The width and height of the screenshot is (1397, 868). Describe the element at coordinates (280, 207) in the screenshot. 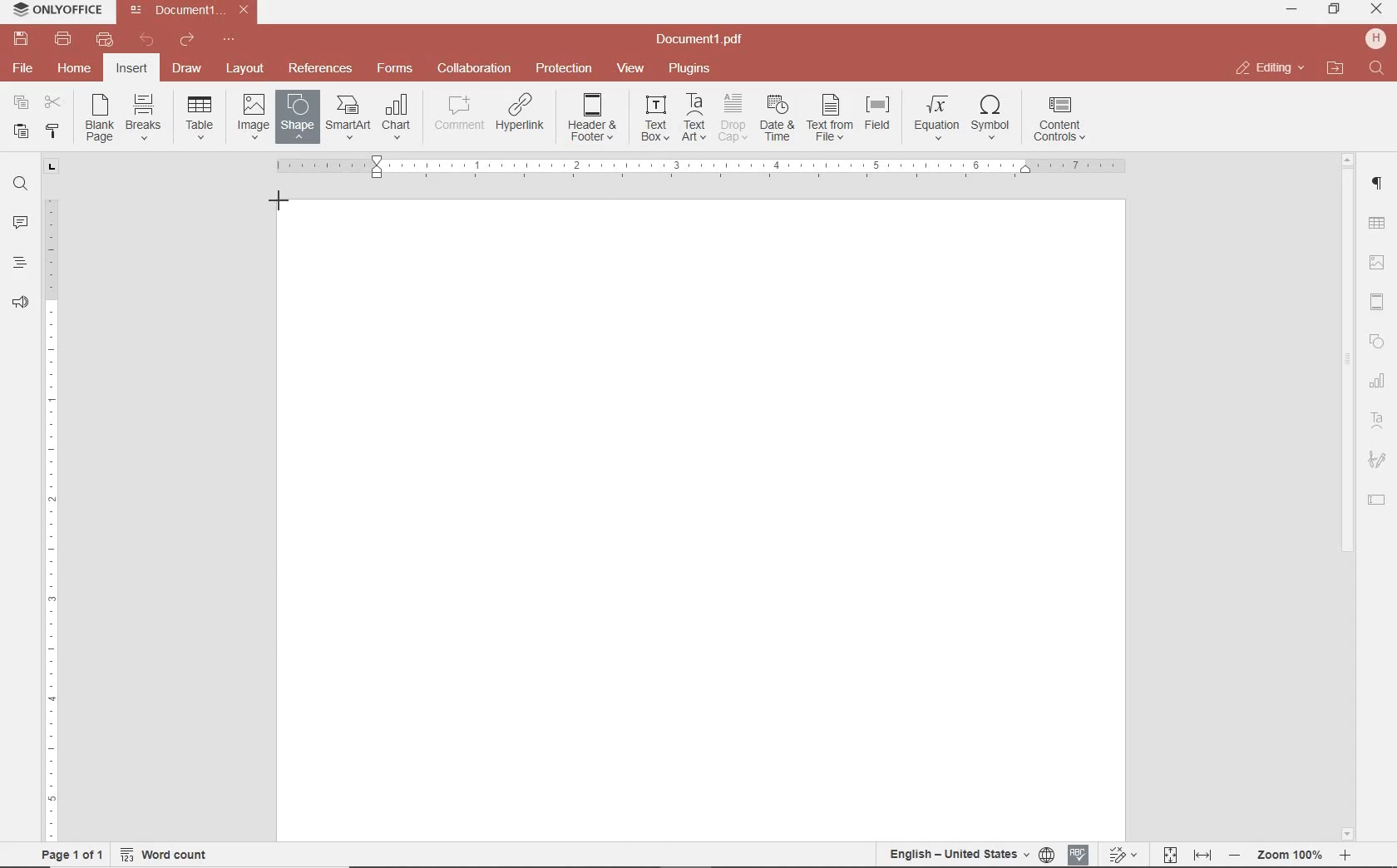

I see `RECTANGLE SHAPE TOOL` at that location.